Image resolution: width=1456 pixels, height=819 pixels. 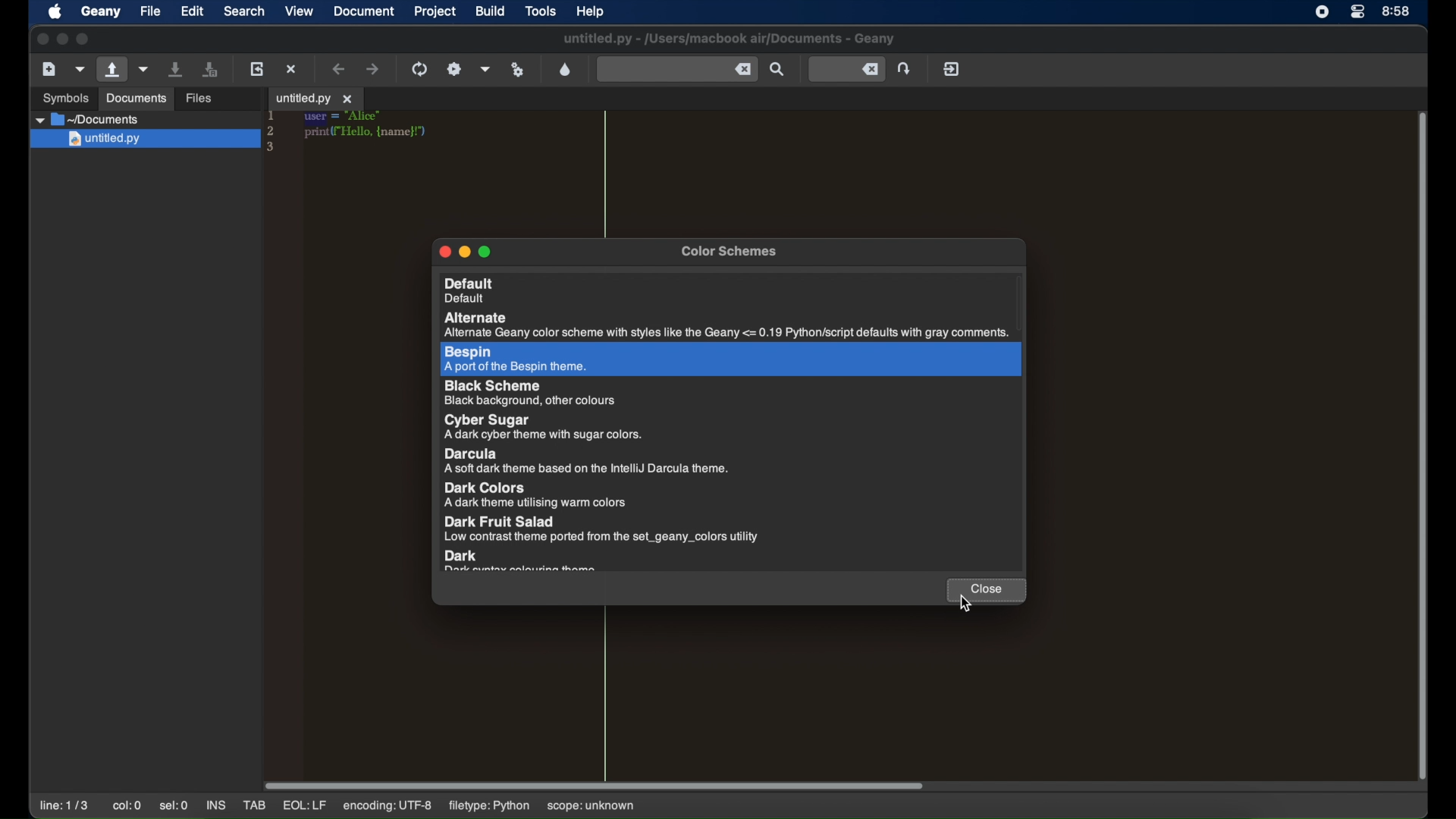 What do you see at coordinates (145, 140) in the screenshot?
I see `untitled.py` at bounding box center [145, 140].